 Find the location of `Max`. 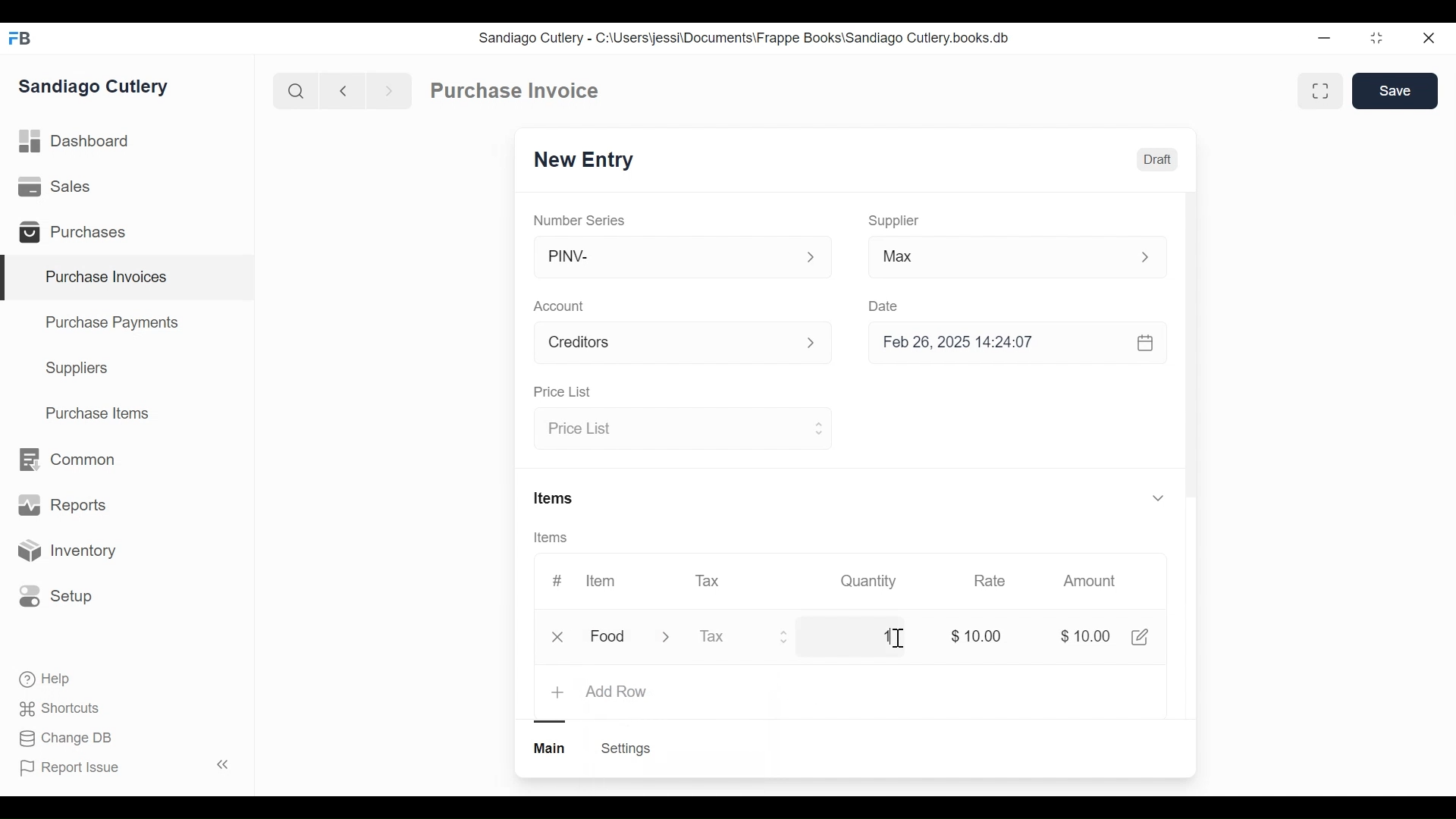

Max is located at coordinates (987, 259).